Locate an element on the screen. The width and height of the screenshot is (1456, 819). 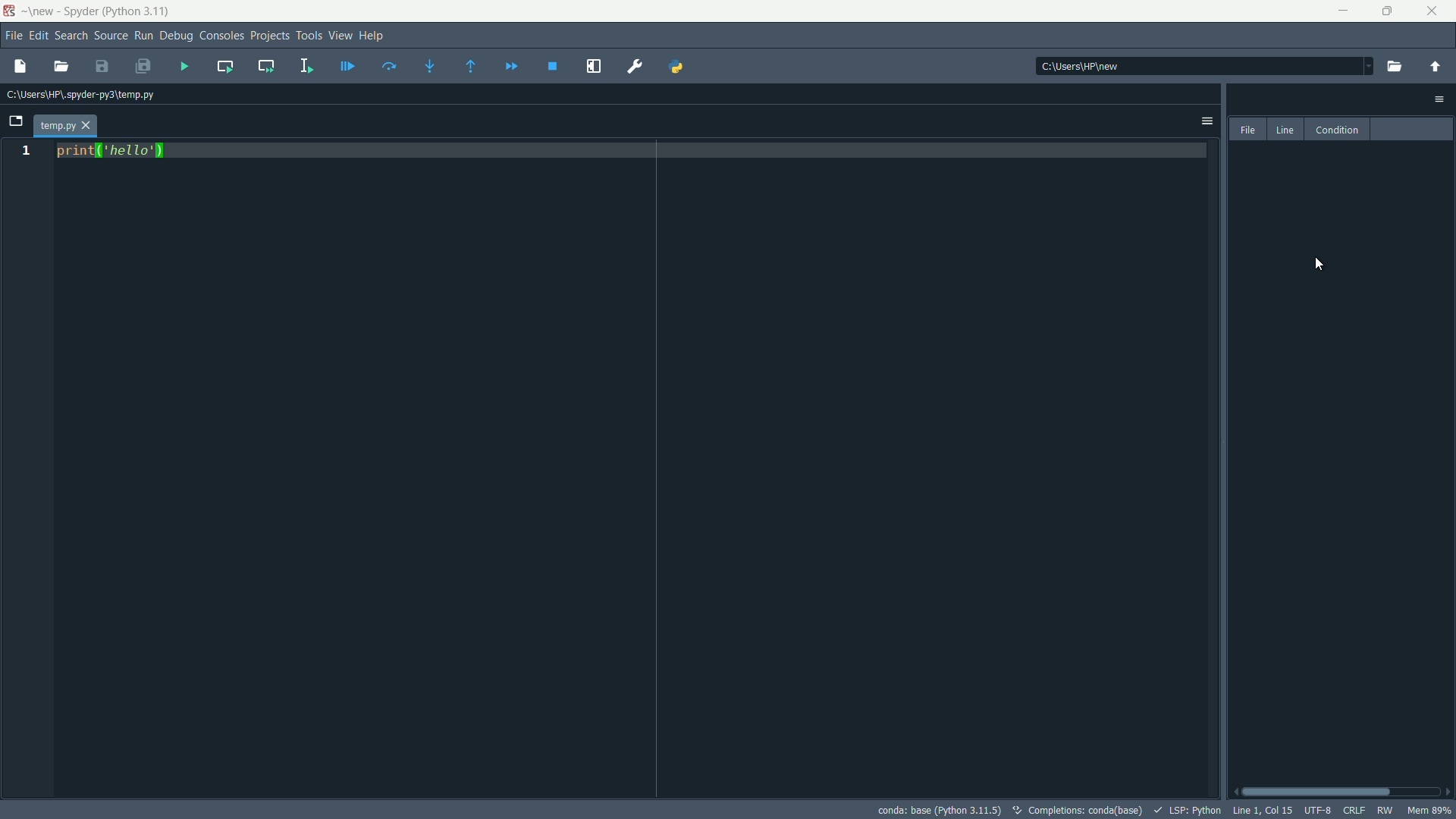
file menu is located at coordinates (11, 36).